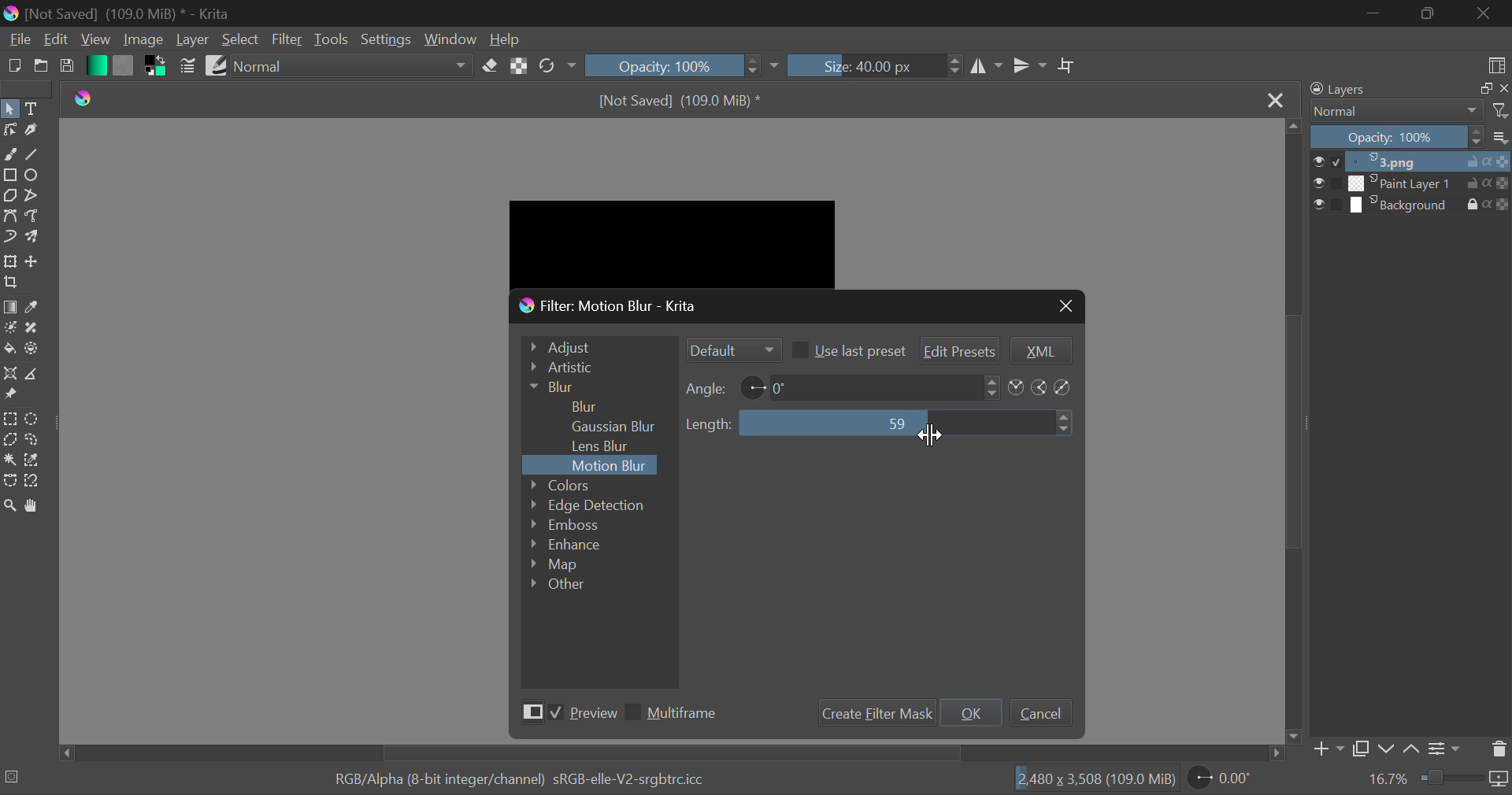  What do you see at coordinates (606, 446) in the screenshot?
I see `Lens` at bounding box center [606, 446].